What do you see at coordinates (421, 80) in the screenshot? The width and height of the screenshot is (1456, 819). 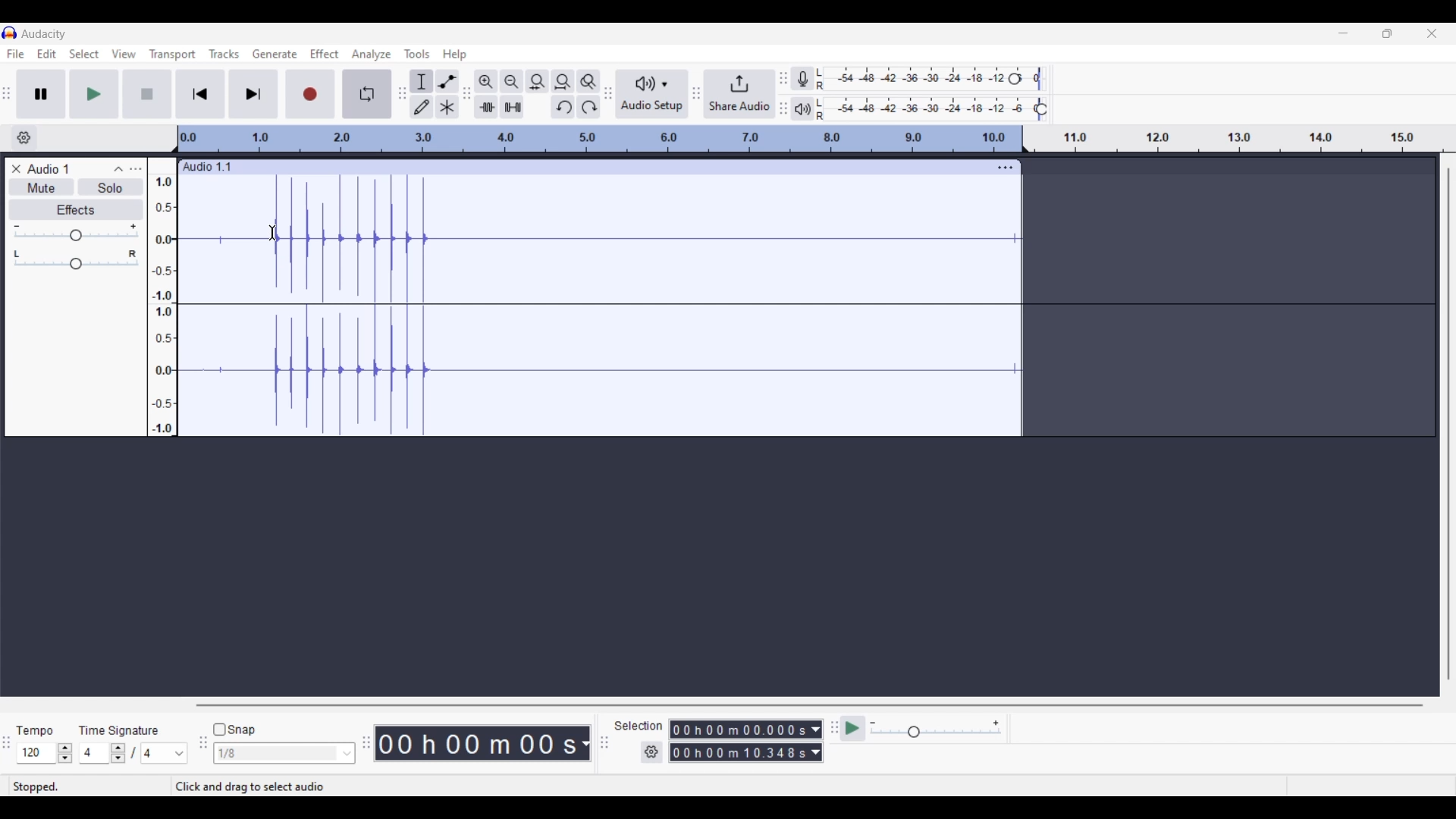 I see `Selection tool` at bounding box center [421, 80].